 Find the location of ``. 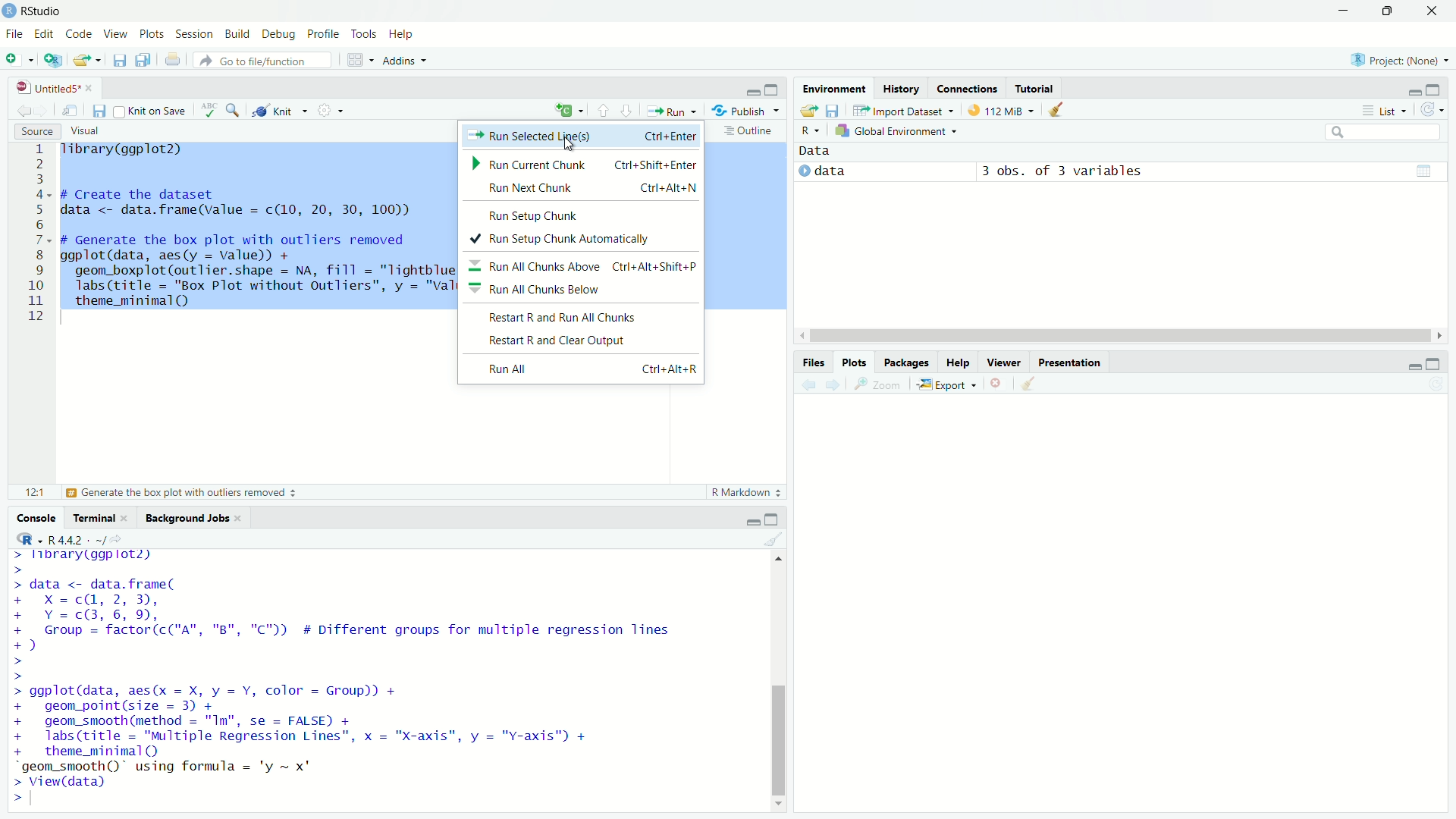

 is located at coordinates (808, 362).